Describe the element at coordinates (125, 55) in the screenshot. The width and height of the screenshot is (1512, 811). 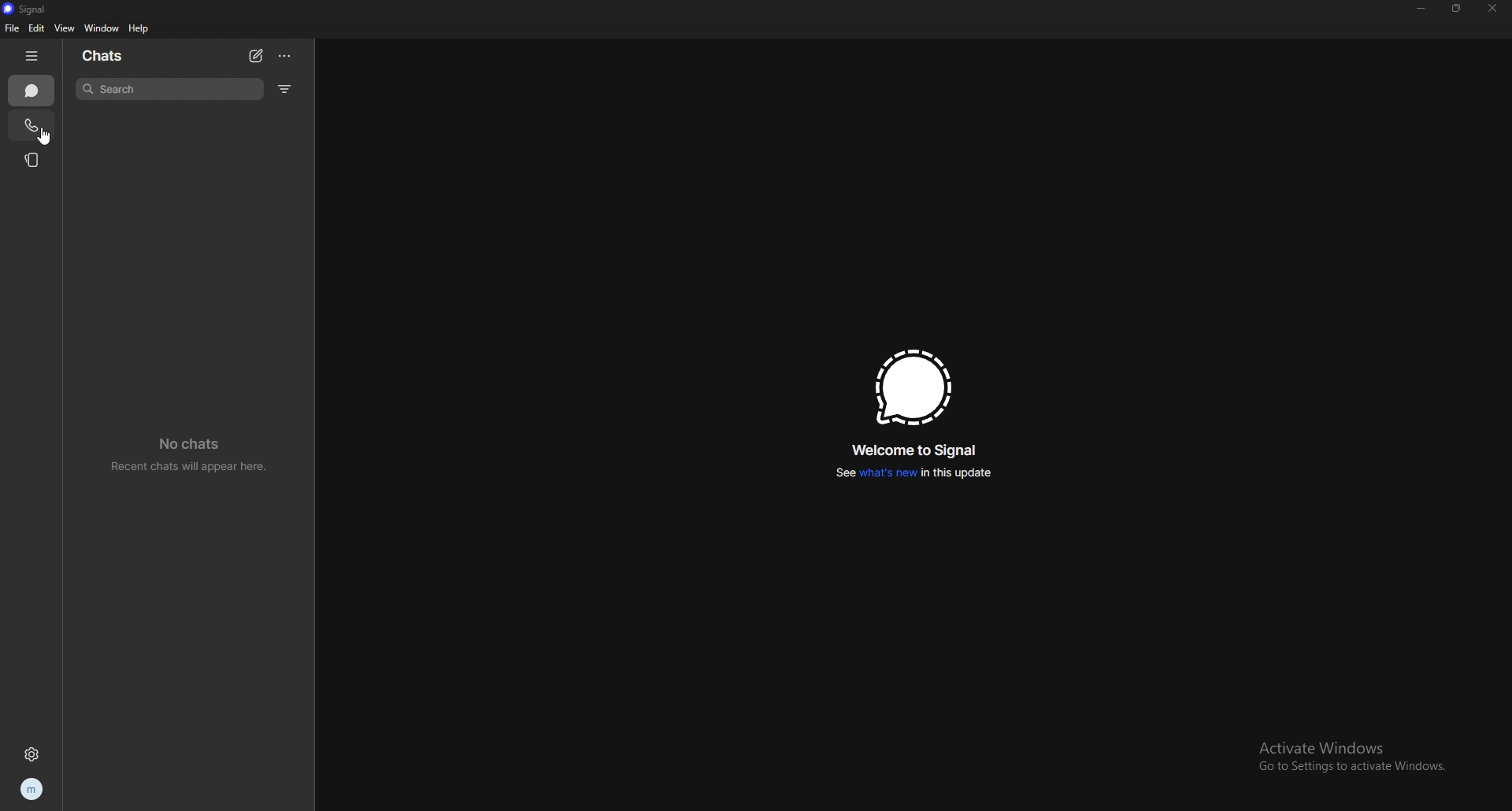
I see `chats` at that location.